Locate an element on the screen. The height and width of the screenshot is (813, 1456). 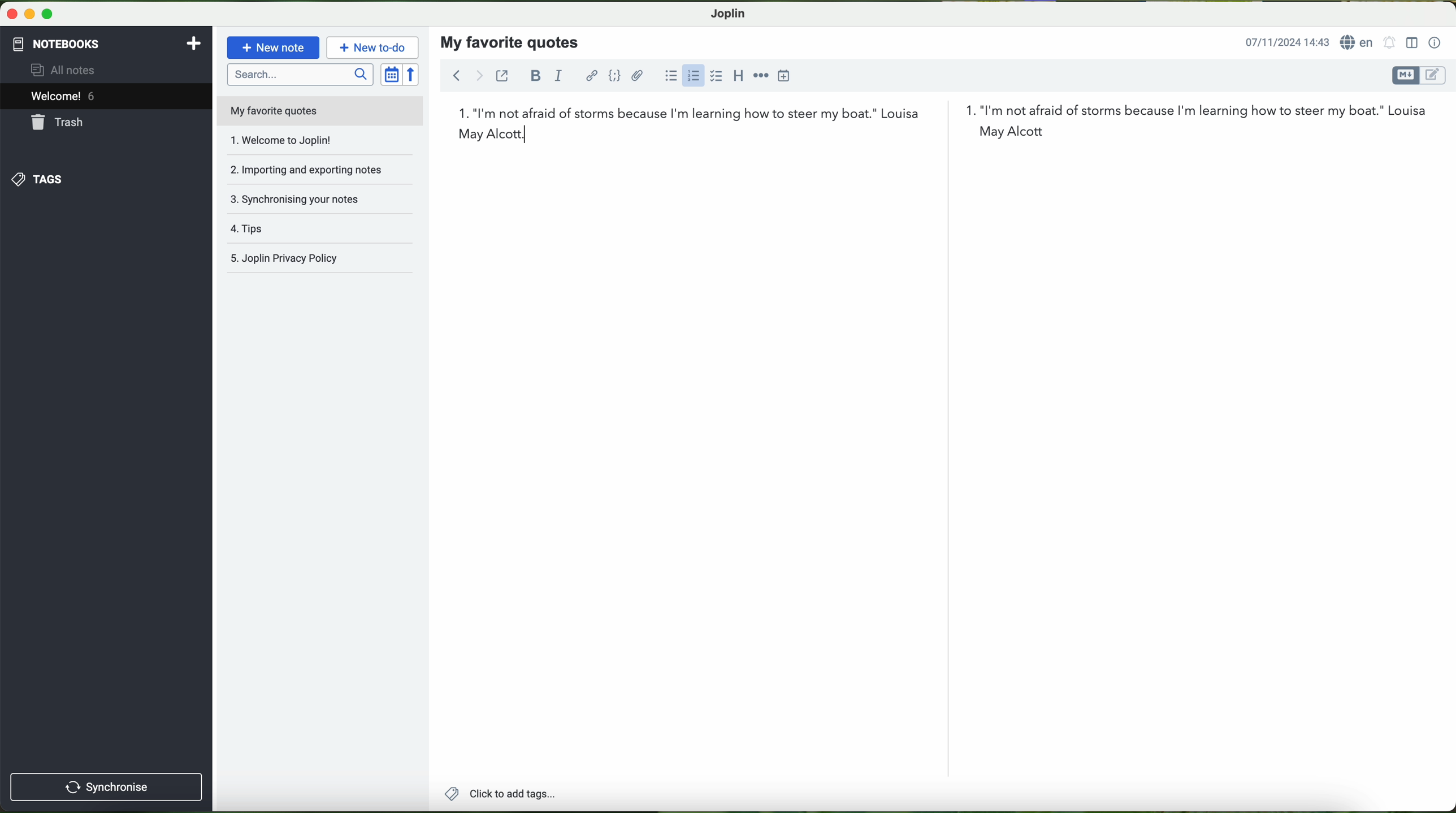
Joplin is located at coordinates (727, 13).